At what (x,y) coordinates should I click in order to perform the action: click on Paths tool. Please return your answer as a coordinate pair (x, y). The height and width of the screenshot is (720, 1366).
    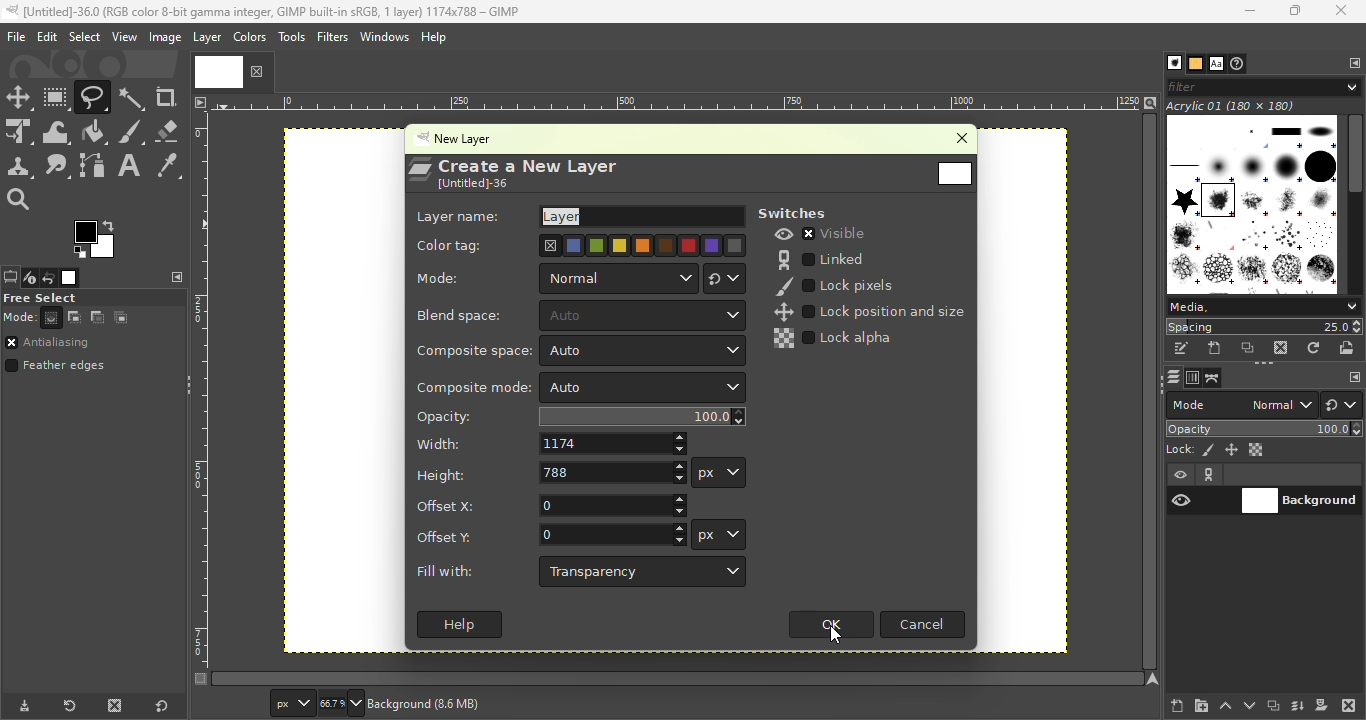
    Looking at the image, I should click on (93, 165).